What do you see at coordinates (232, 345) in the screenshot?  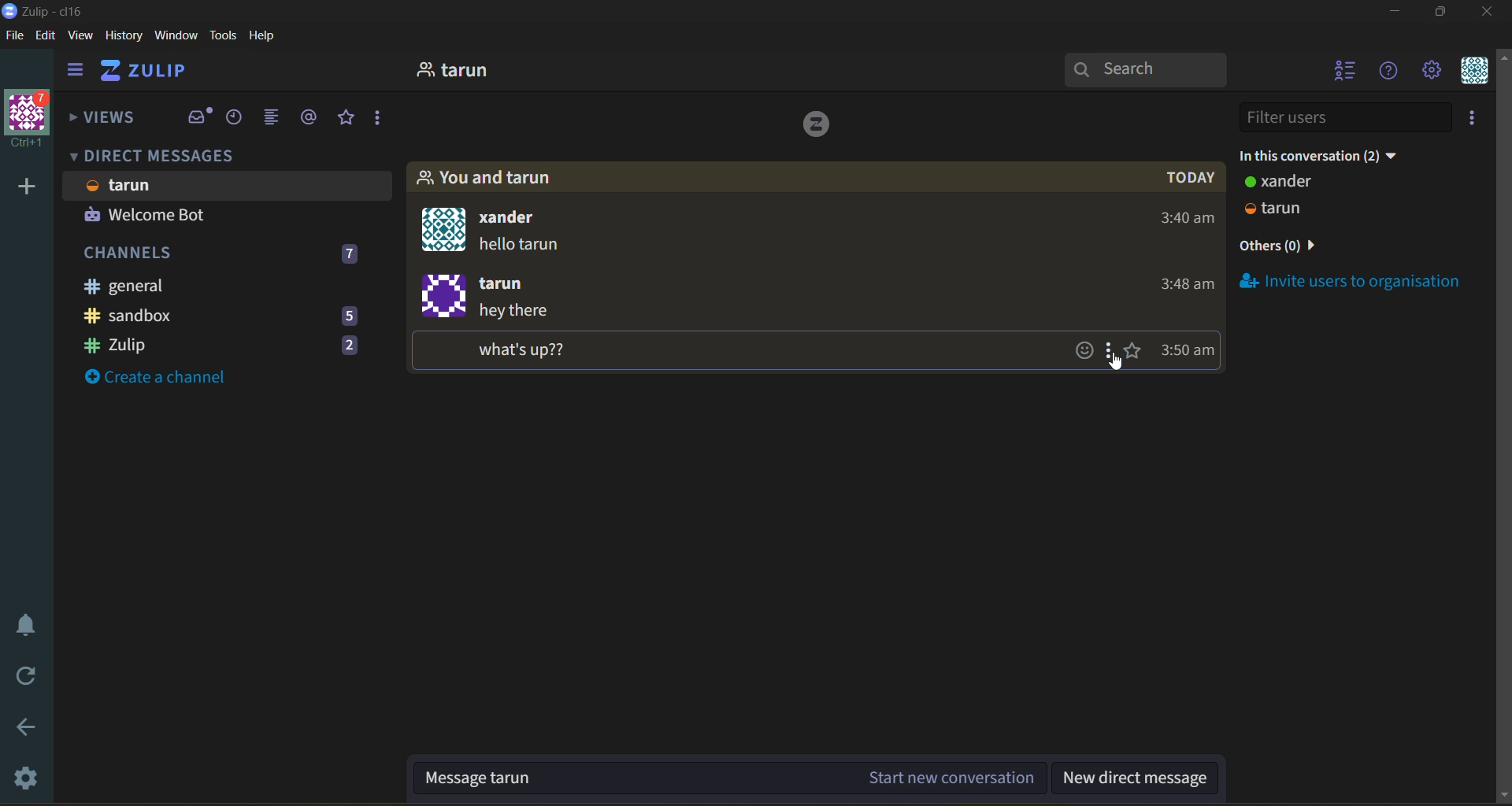 I see `zulip` at bounding box center [232, 345].